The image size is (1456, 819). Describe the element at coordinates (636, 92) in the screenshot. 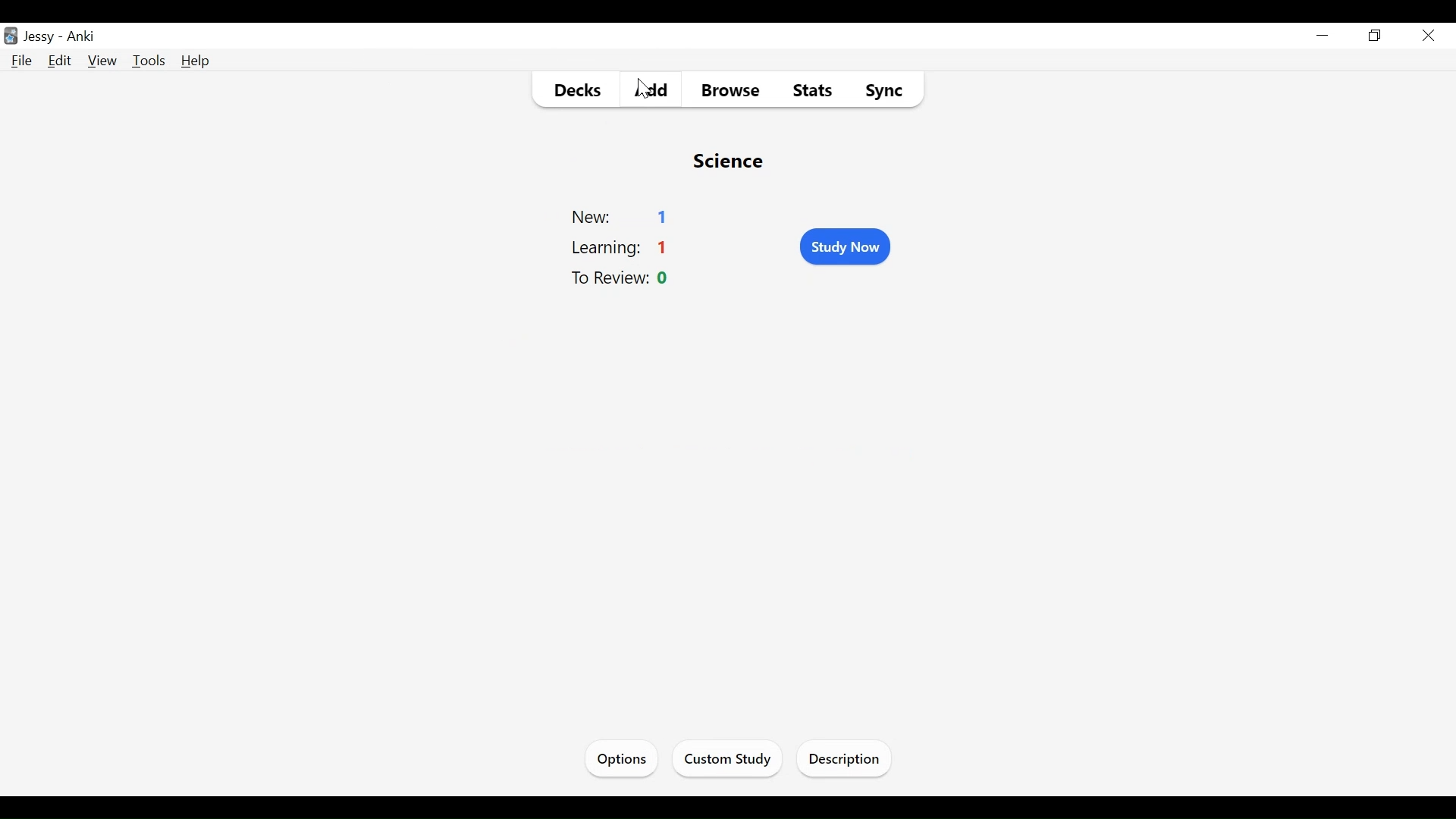

I see `cursor` at that location.